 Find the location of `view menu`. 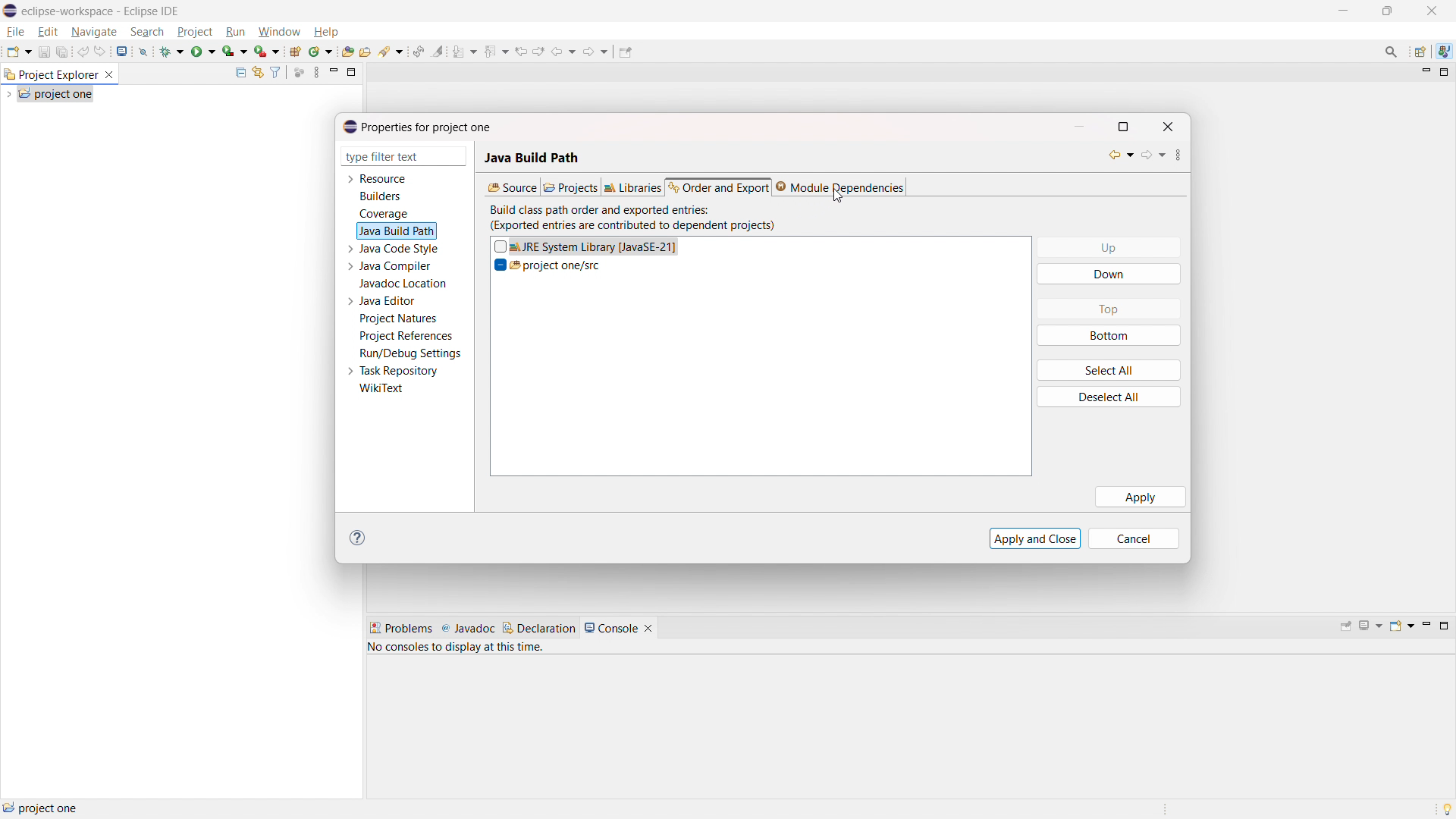

view menu is located at coordinates (1186, 155).